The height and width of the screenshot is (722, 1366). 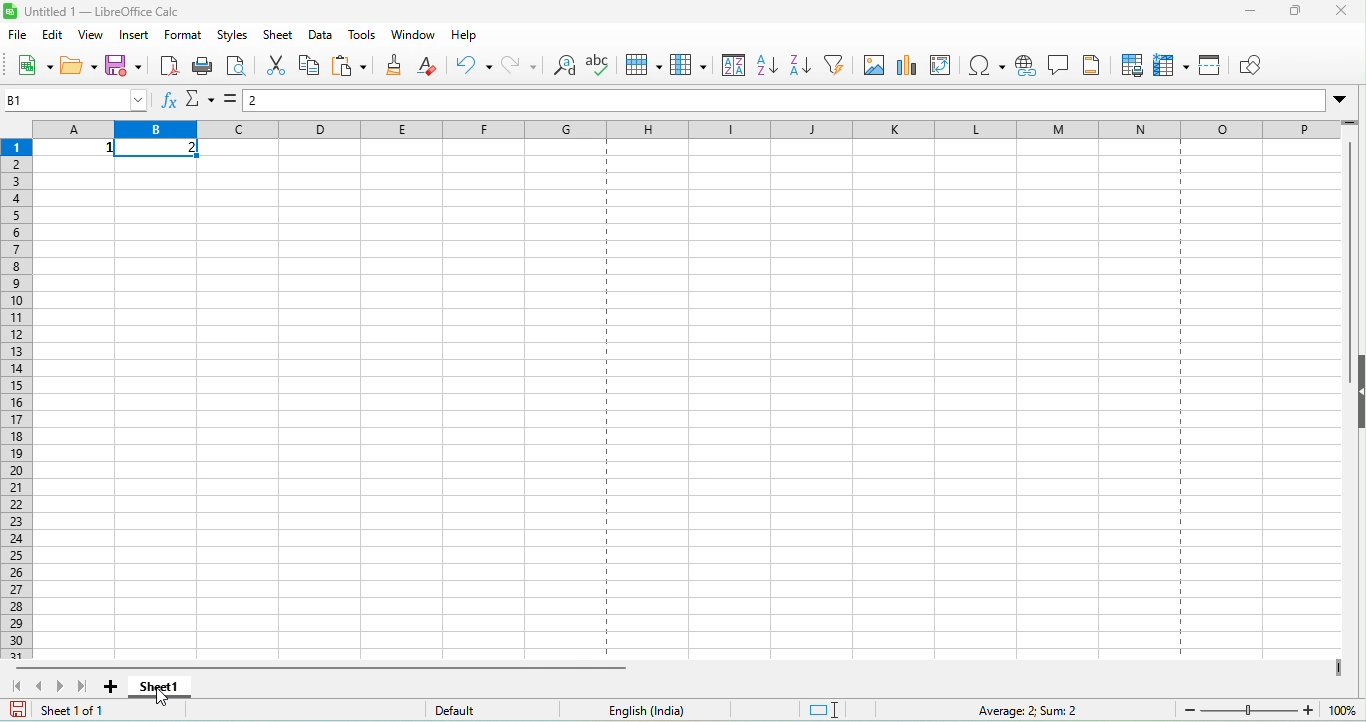 I want to click on image, so click(x=876, y=69).